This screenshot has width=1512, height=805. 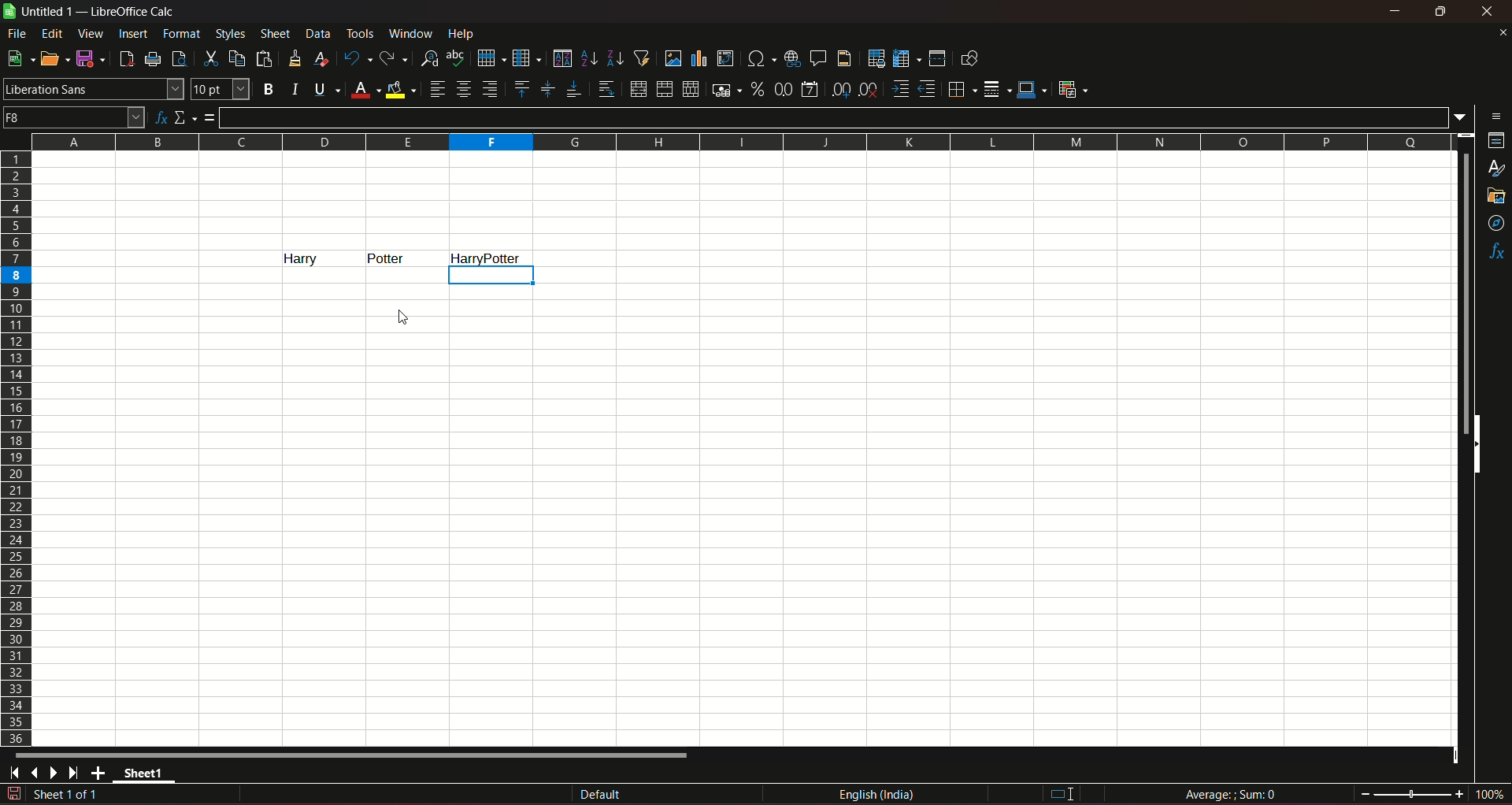 What do you see at coordinates (642, 57) in the screenshot?
I see `auto filter` at bounding box center [642, 57].